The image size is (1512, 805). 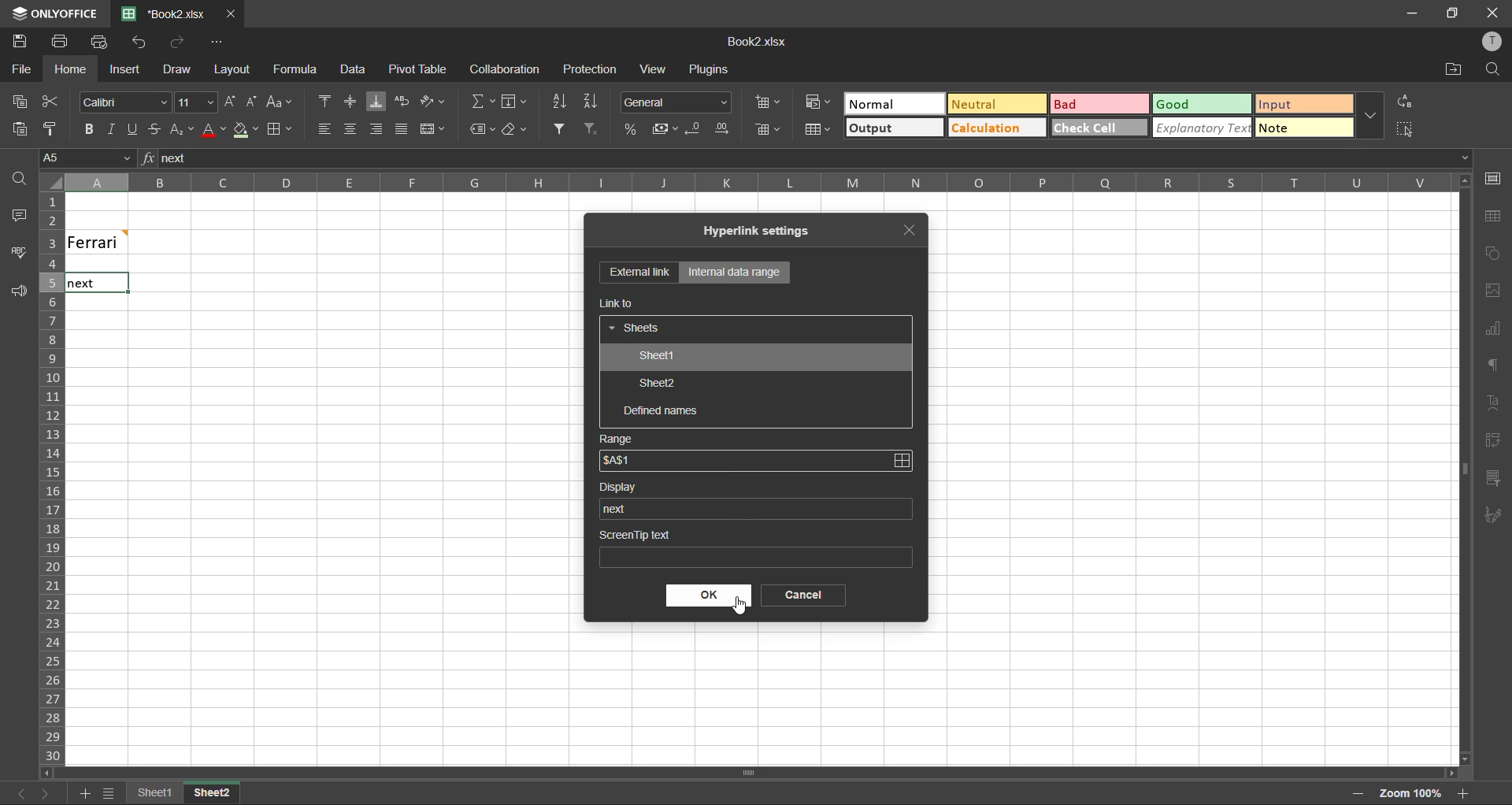 I want to click on plugins, so click(x=710, y=72).